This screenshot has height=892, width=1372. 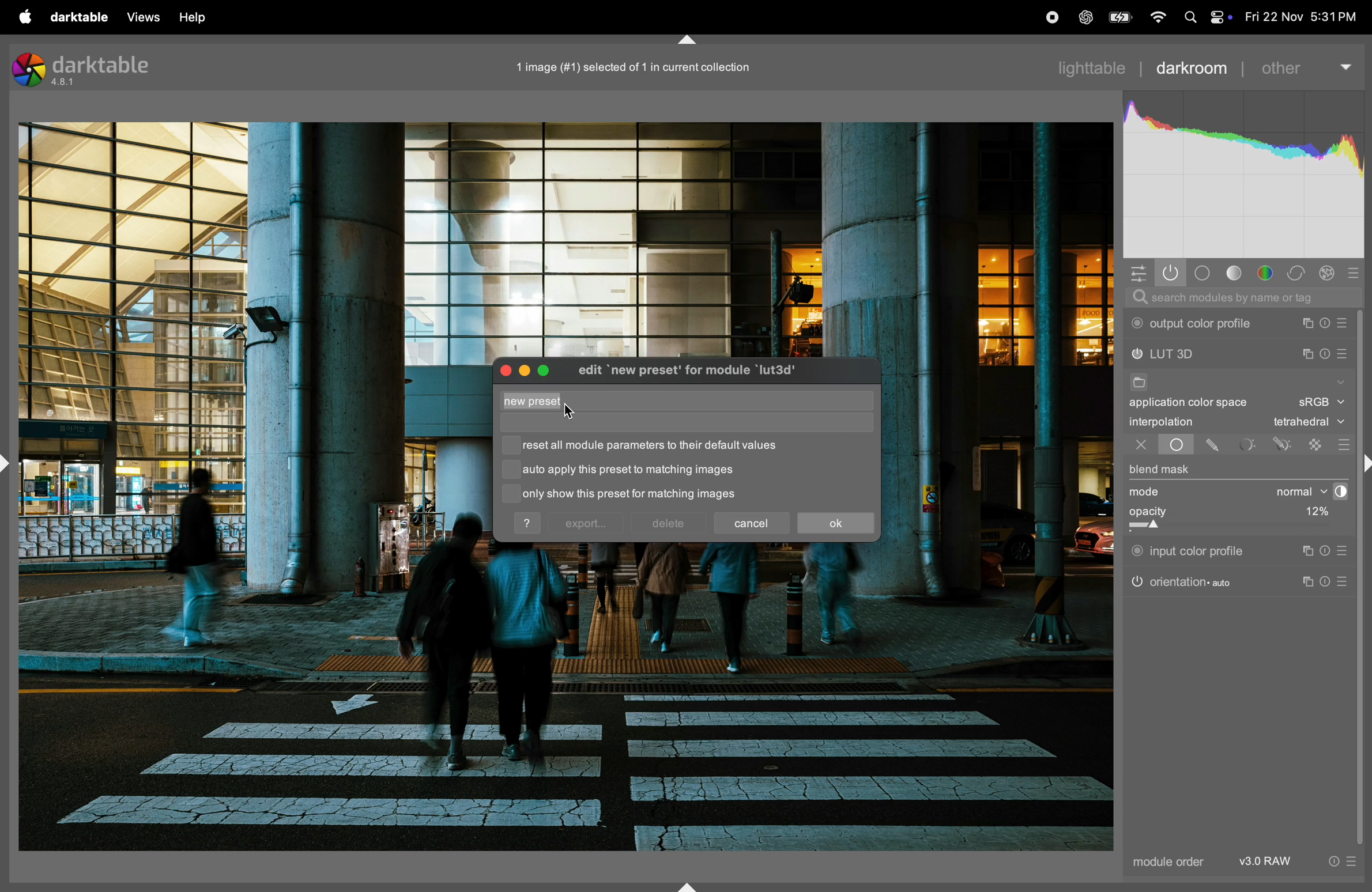 I want to click on Srgb, so click(x=1321, y=403).